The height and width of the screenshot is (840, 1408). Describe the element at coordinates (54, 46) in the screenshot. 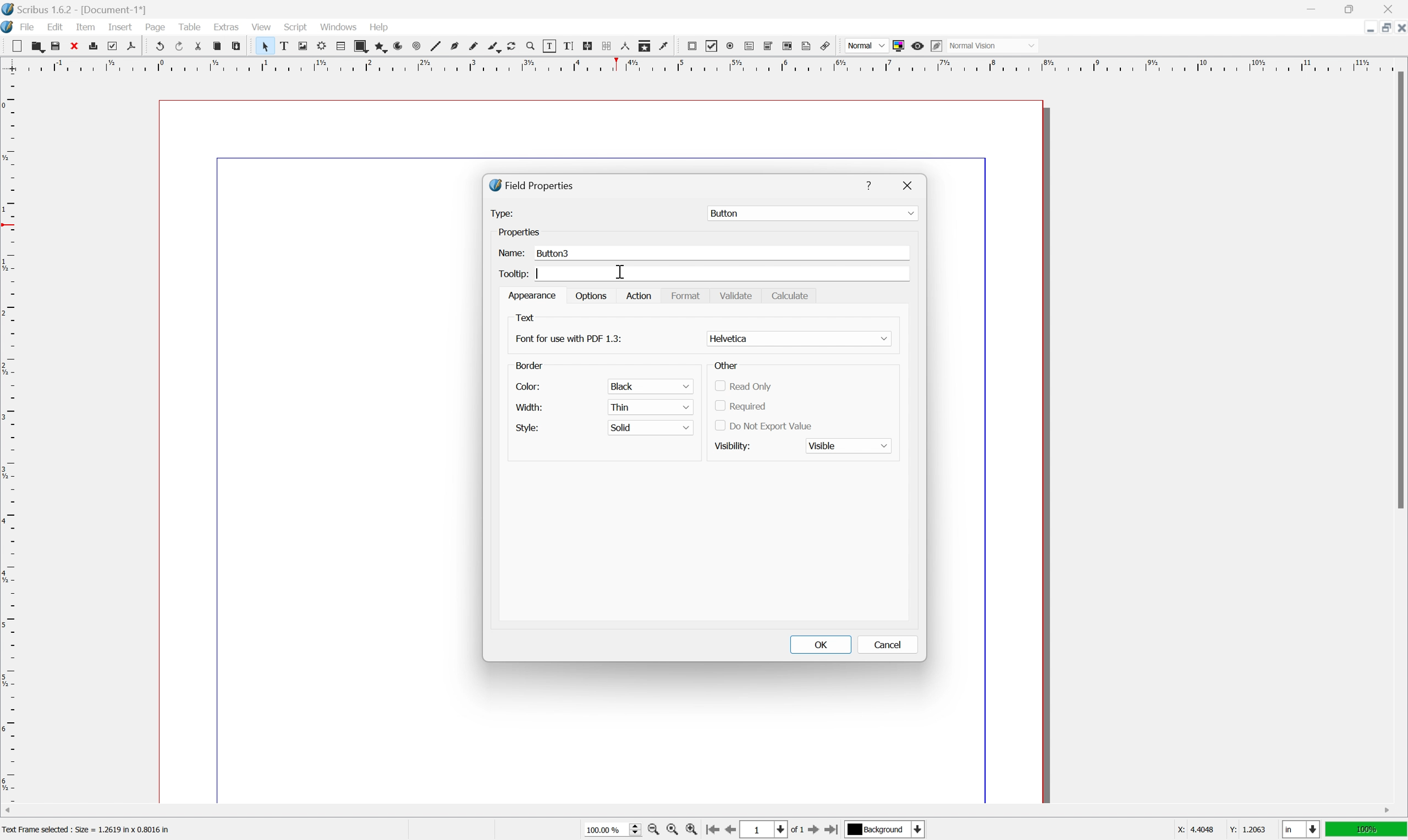

I see `save` at that location.